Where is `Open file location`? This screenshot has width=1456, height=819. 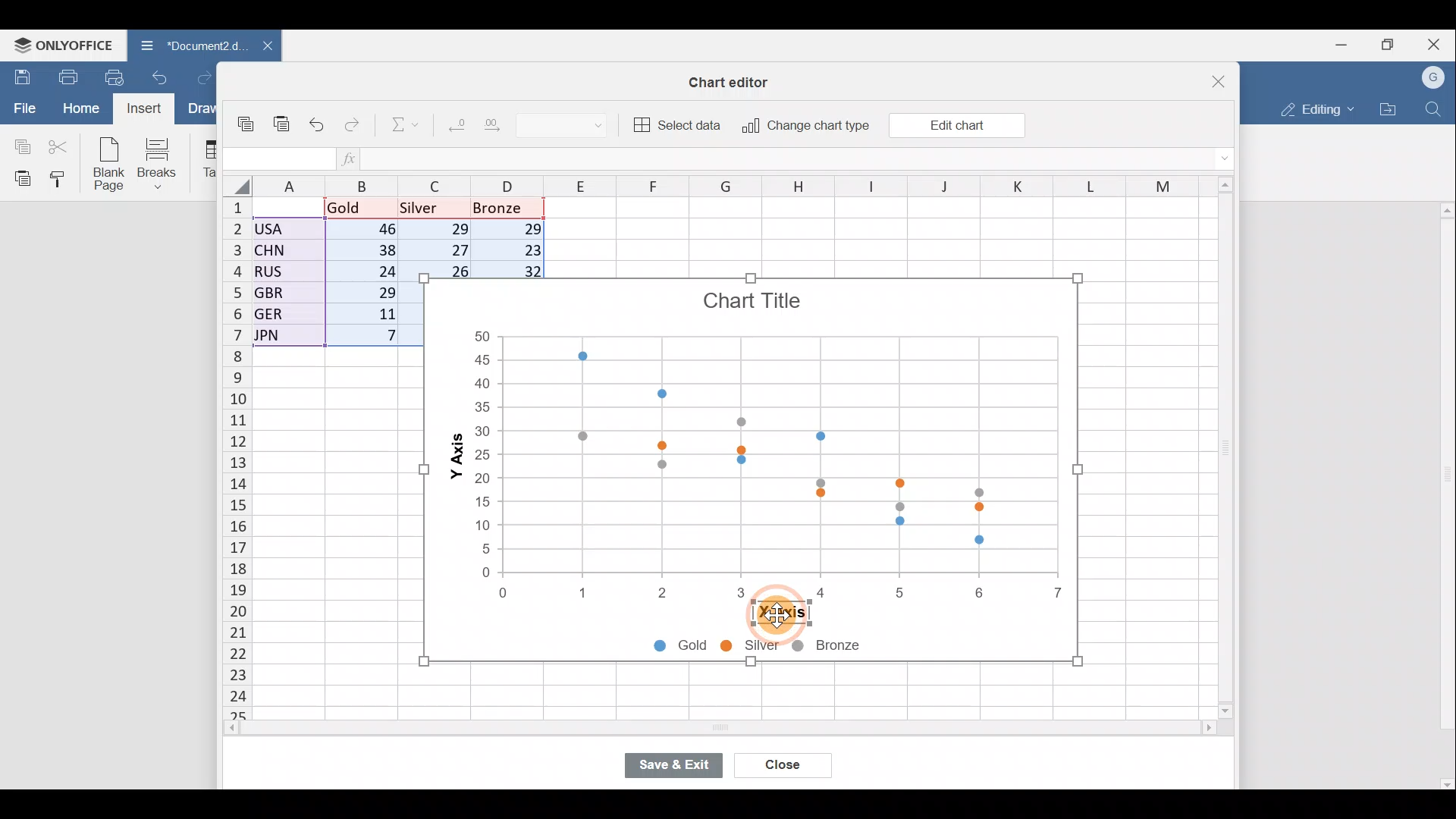 Open file location is located at coordinates (1391, 108).